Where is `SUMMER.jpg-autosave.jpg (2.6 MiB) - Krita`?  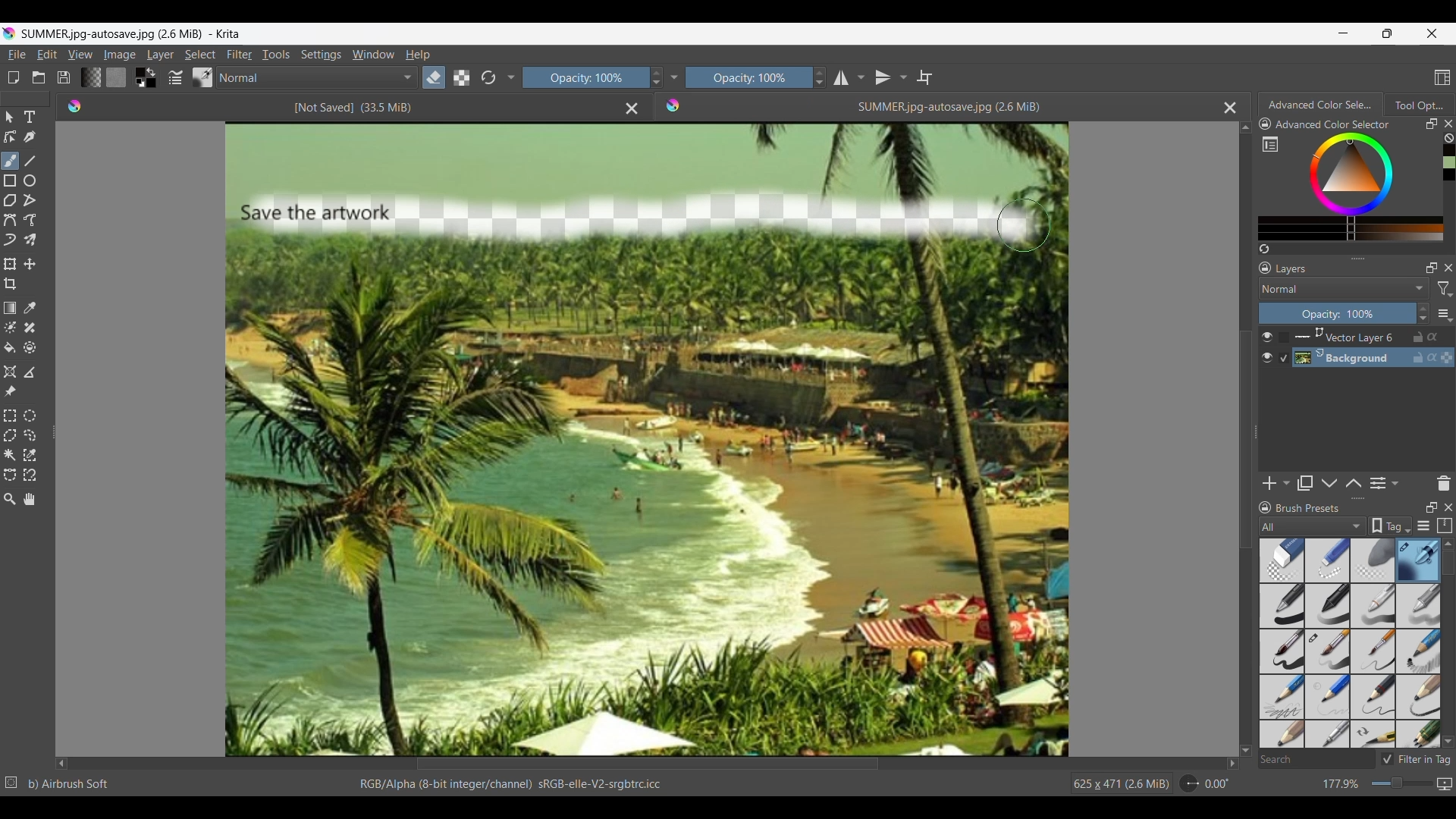 SUMMER.jpg-autosave.jpg (2.6 MiB) - Krita is located at coordinates (135, 33).